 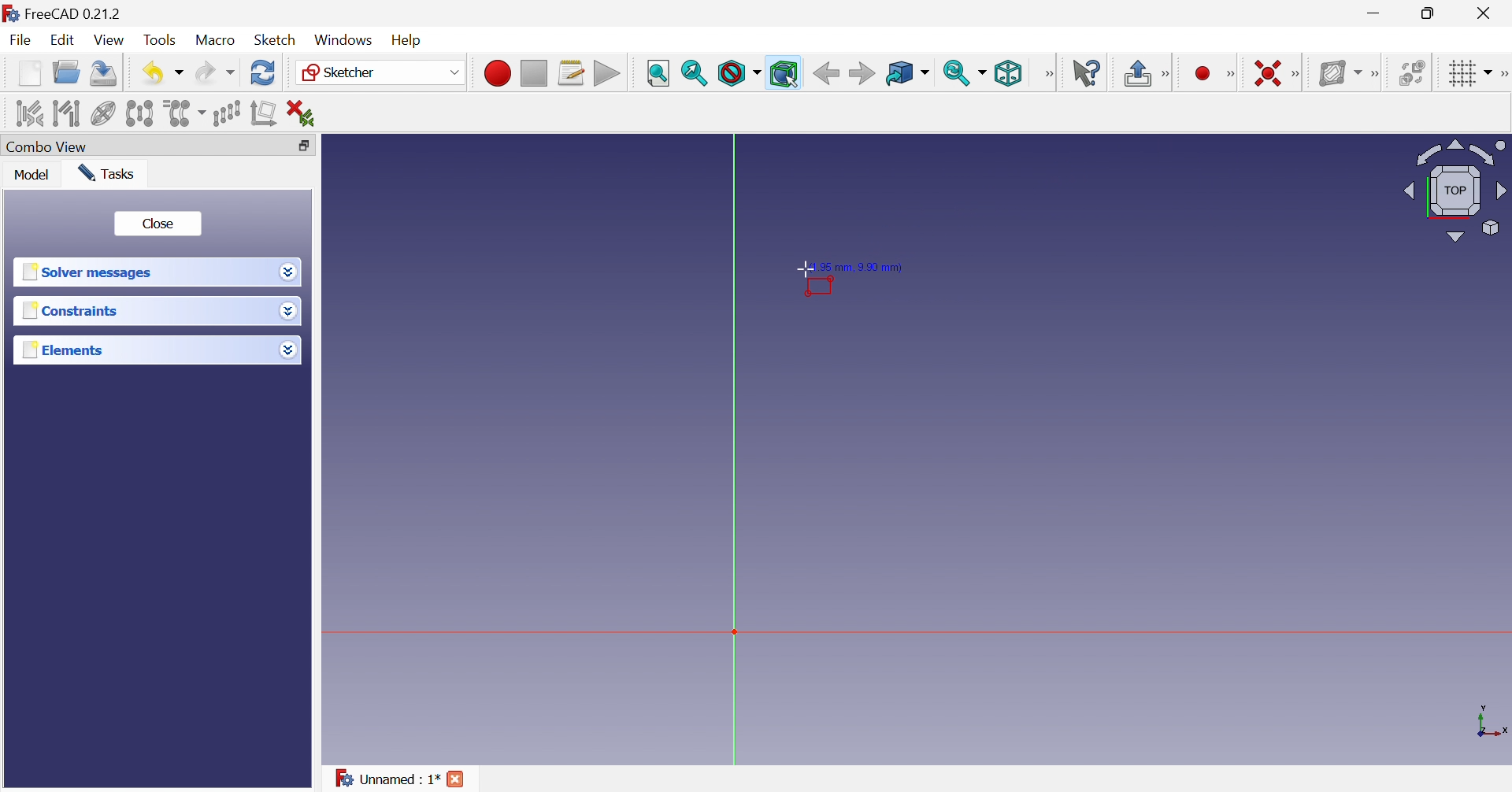 I want to click on Go to linked object, so click(x=906, y=74).